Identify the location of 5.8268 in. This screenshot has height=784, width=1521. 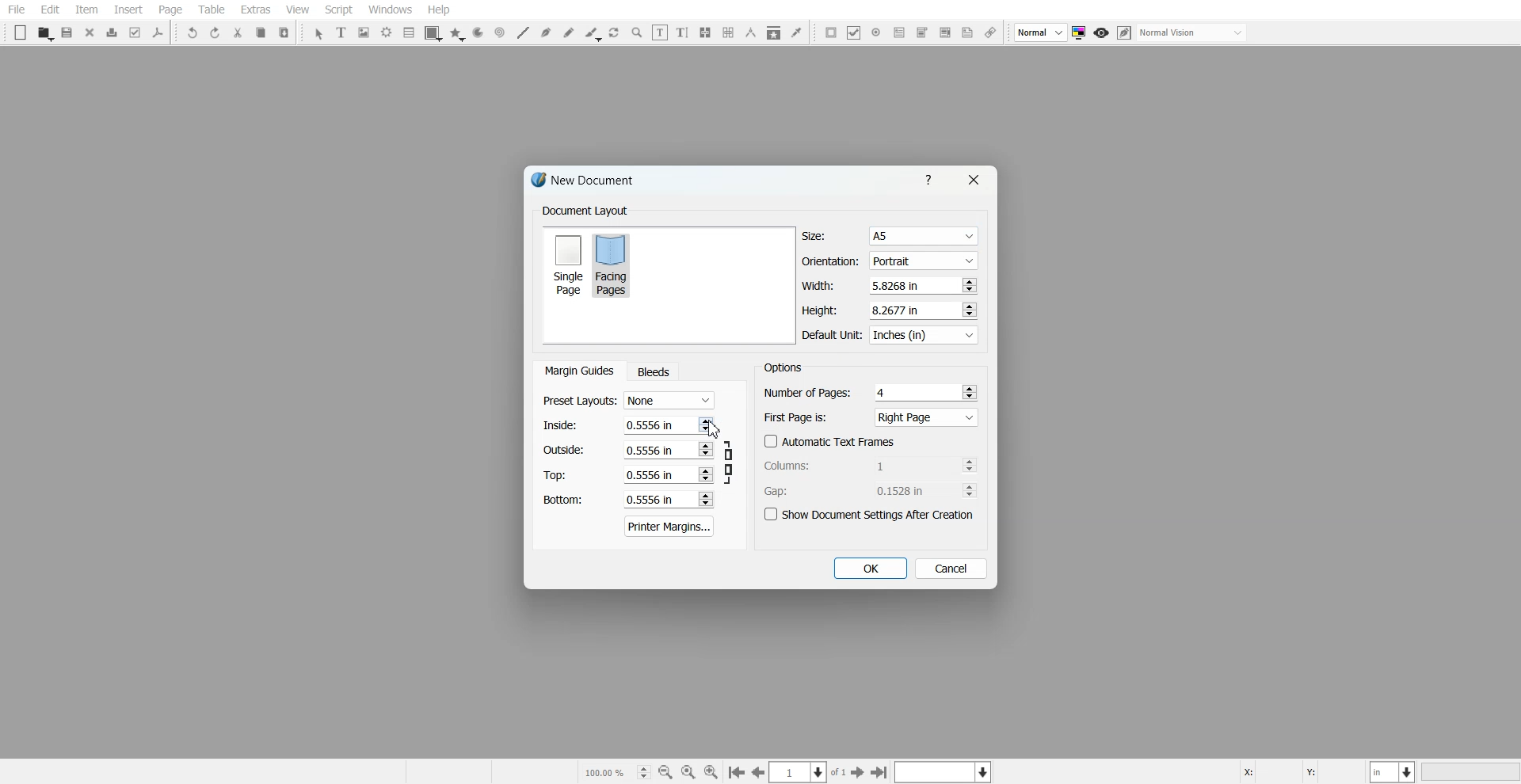
(898, 285).